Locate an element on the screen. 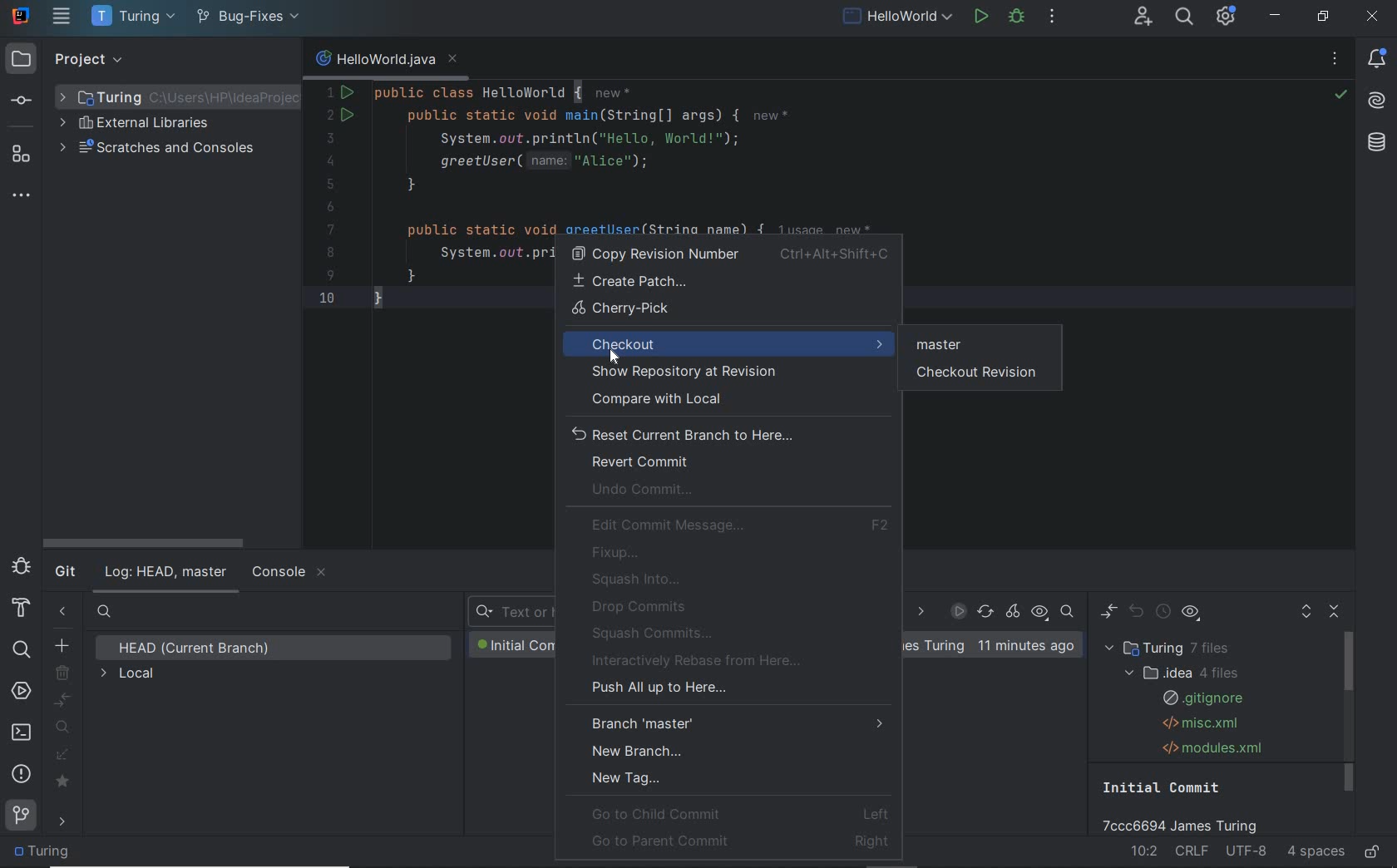 This screenshot has height=868, width=1397. compare with current is located at coordinates (64, 701).